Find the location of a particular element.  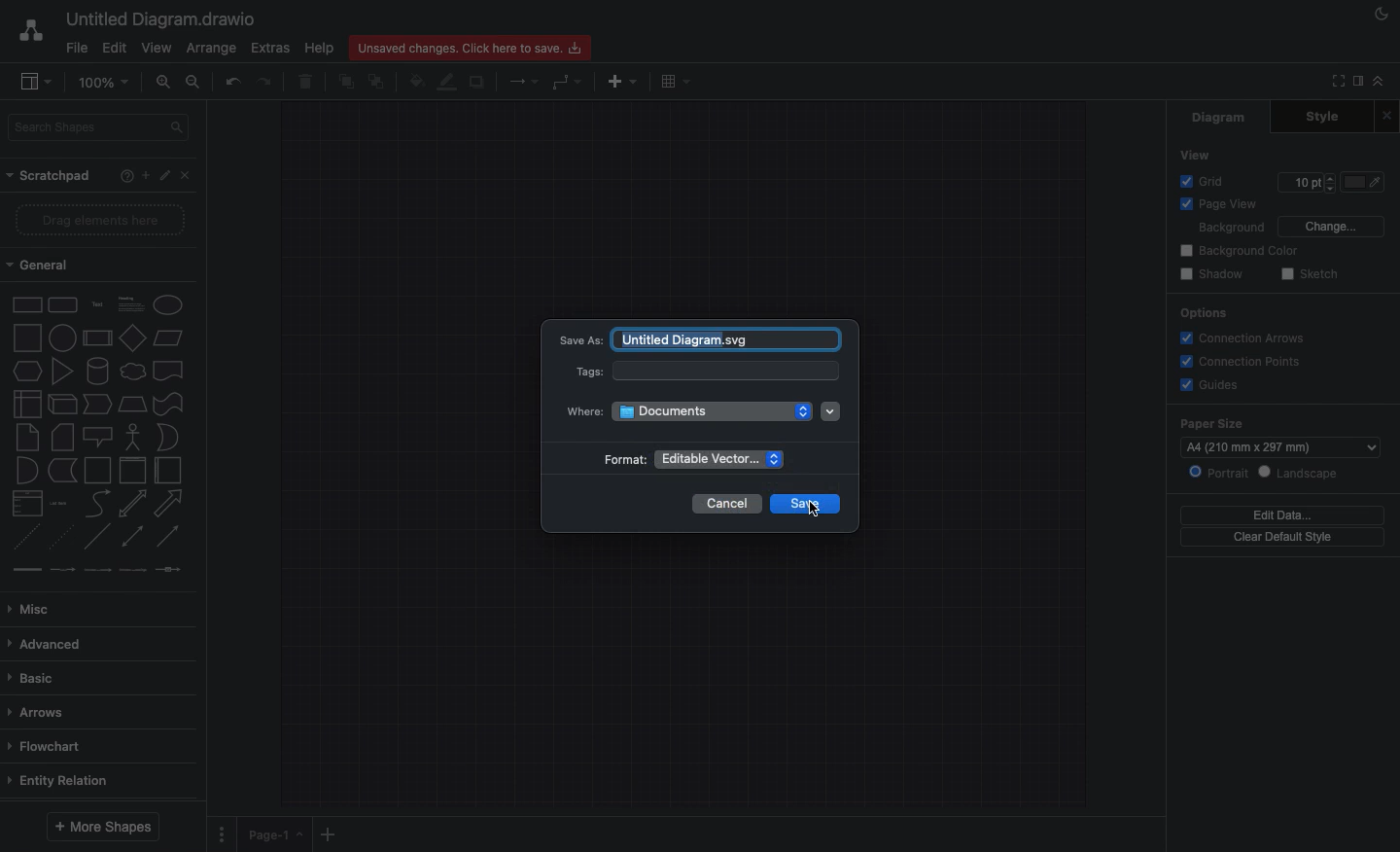

Edit is located at coordinates (164, 175).